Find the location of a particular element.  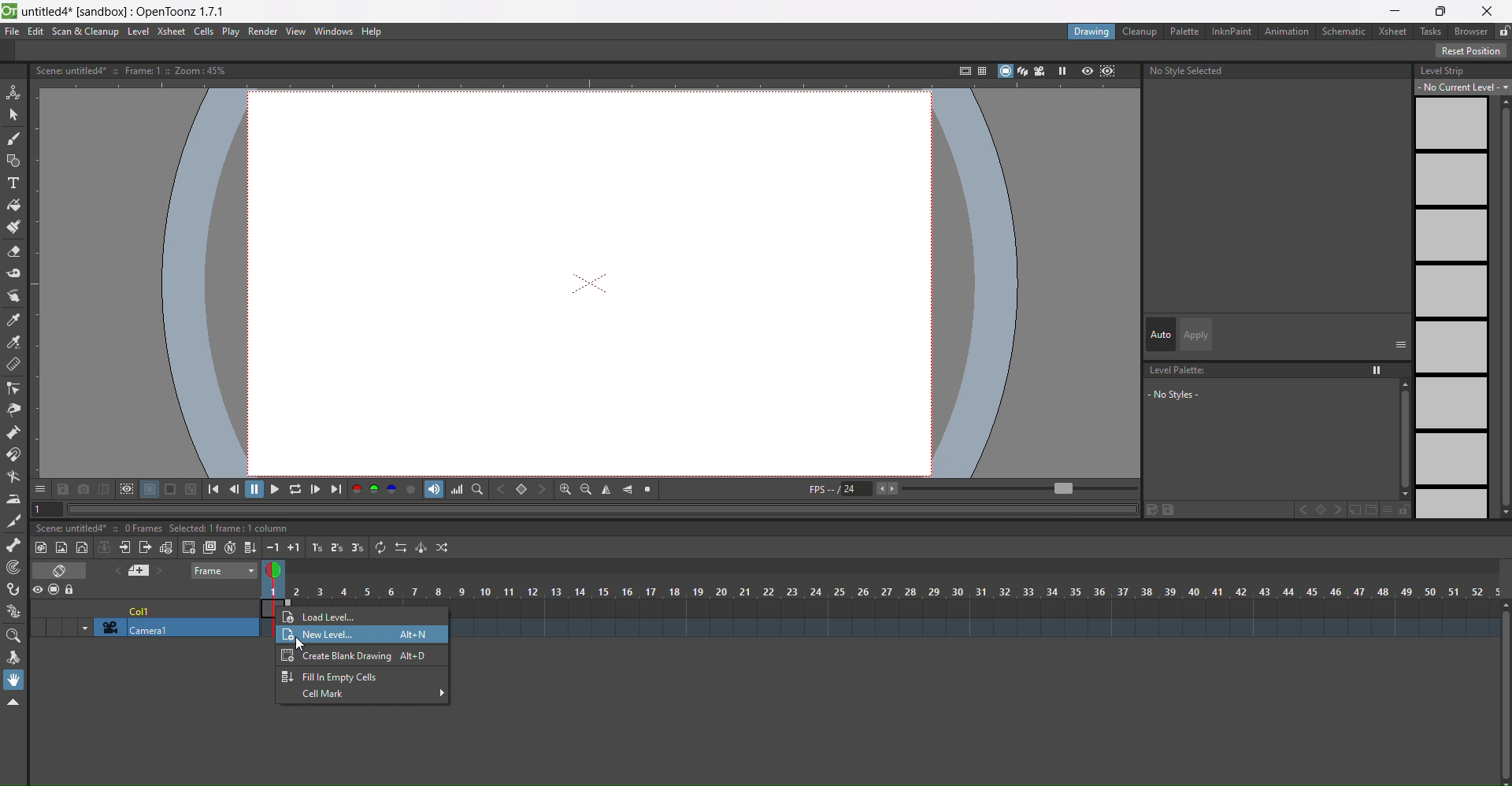

camera view is located at coordinates (1040, 71).